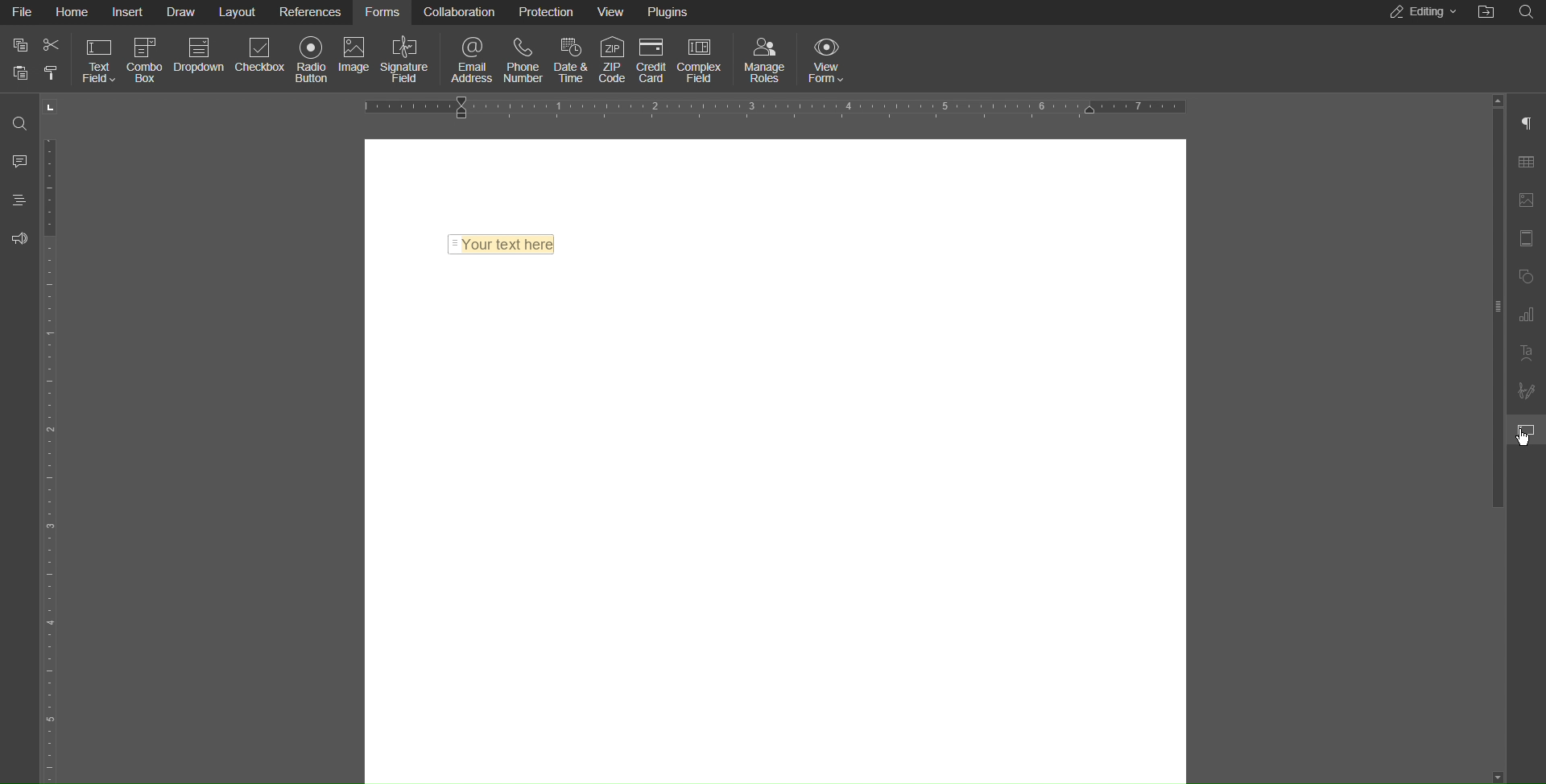 This screenshot has width=1546, height=784. What do you see at coordinates (460, 14) in the screenshot?
I see `Collaboration` at bounding box center [460, 14].